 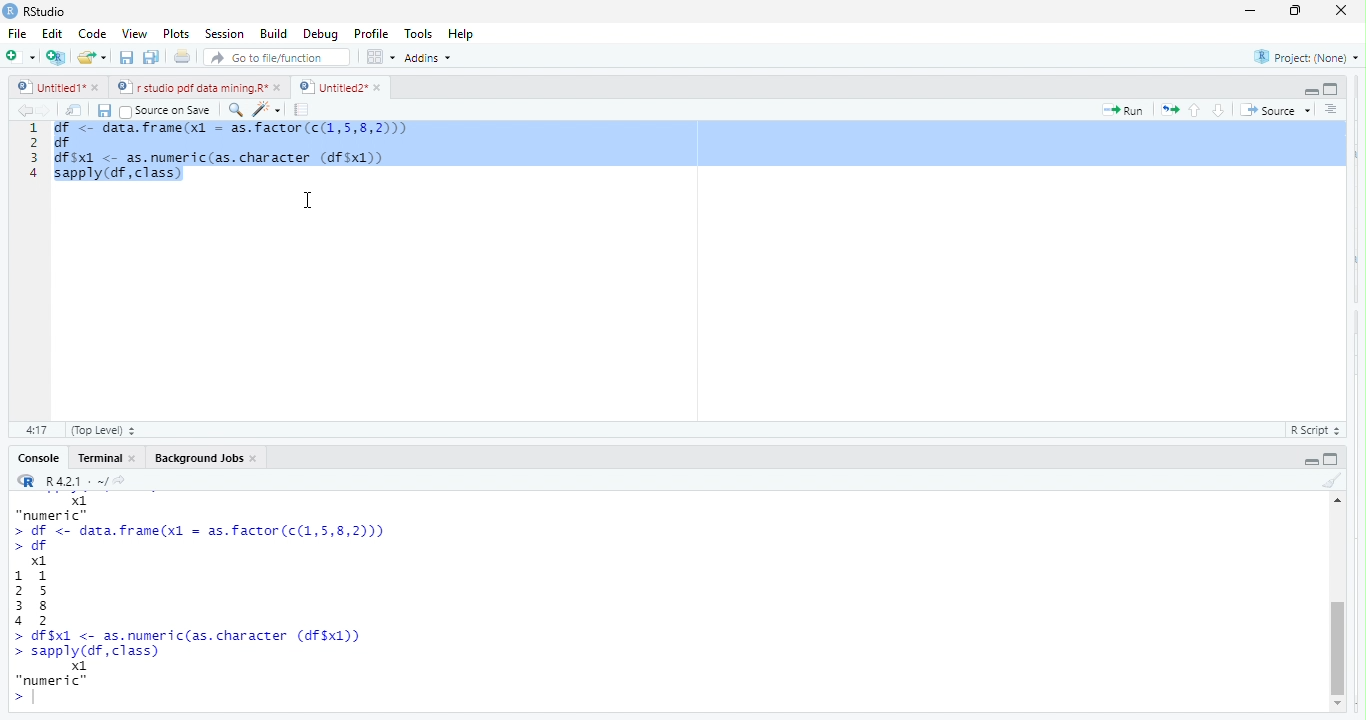 What do you see at coordinates (303, 110) in the screenshot?
I see `compile report` at bounding box center [303, 110].